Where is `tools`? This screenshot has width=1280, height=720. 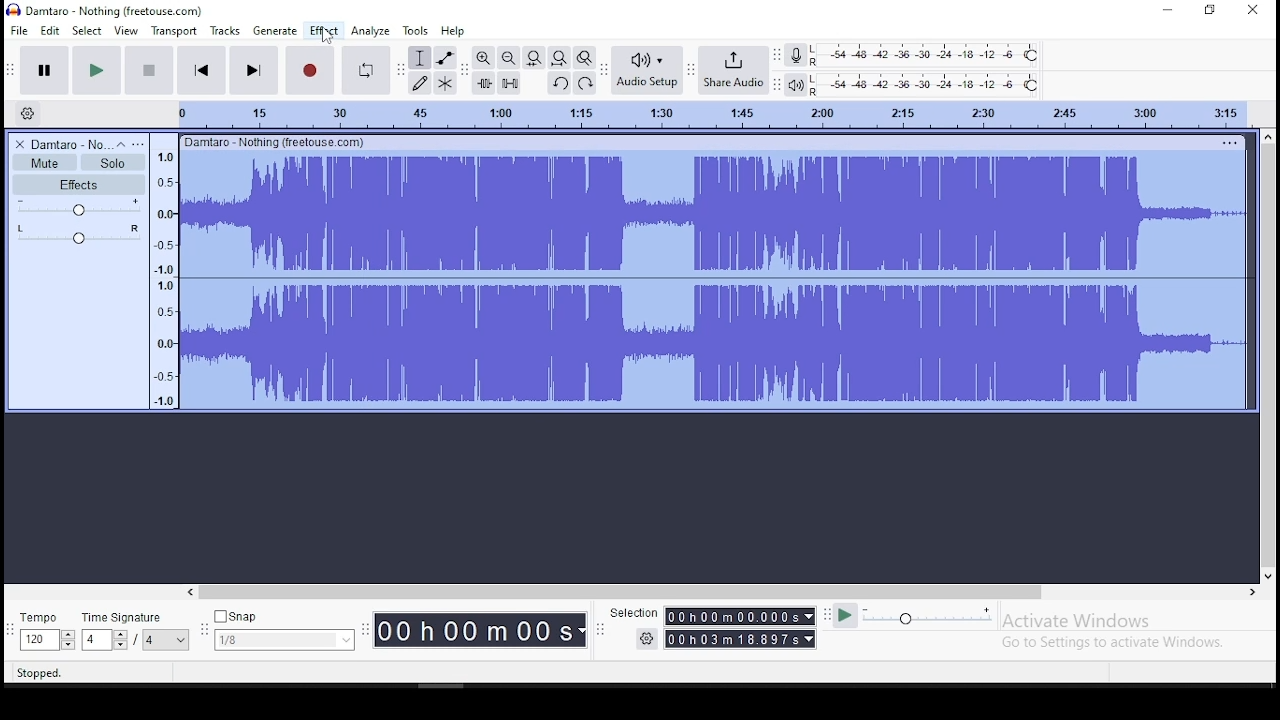
tools is located at coordinates (417, 31).